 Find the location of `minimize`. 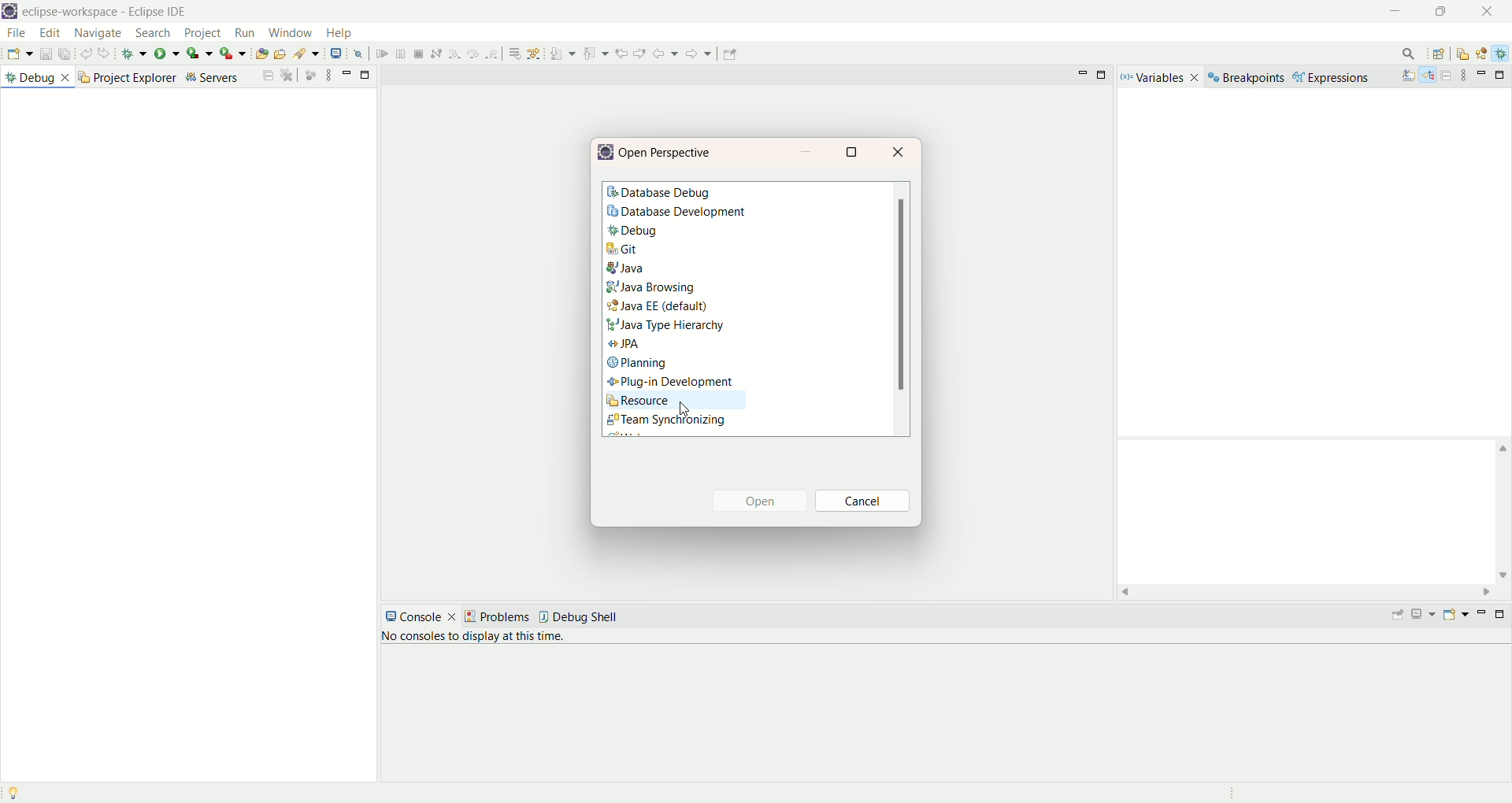

minimize is located at coordinates (1081, 74).